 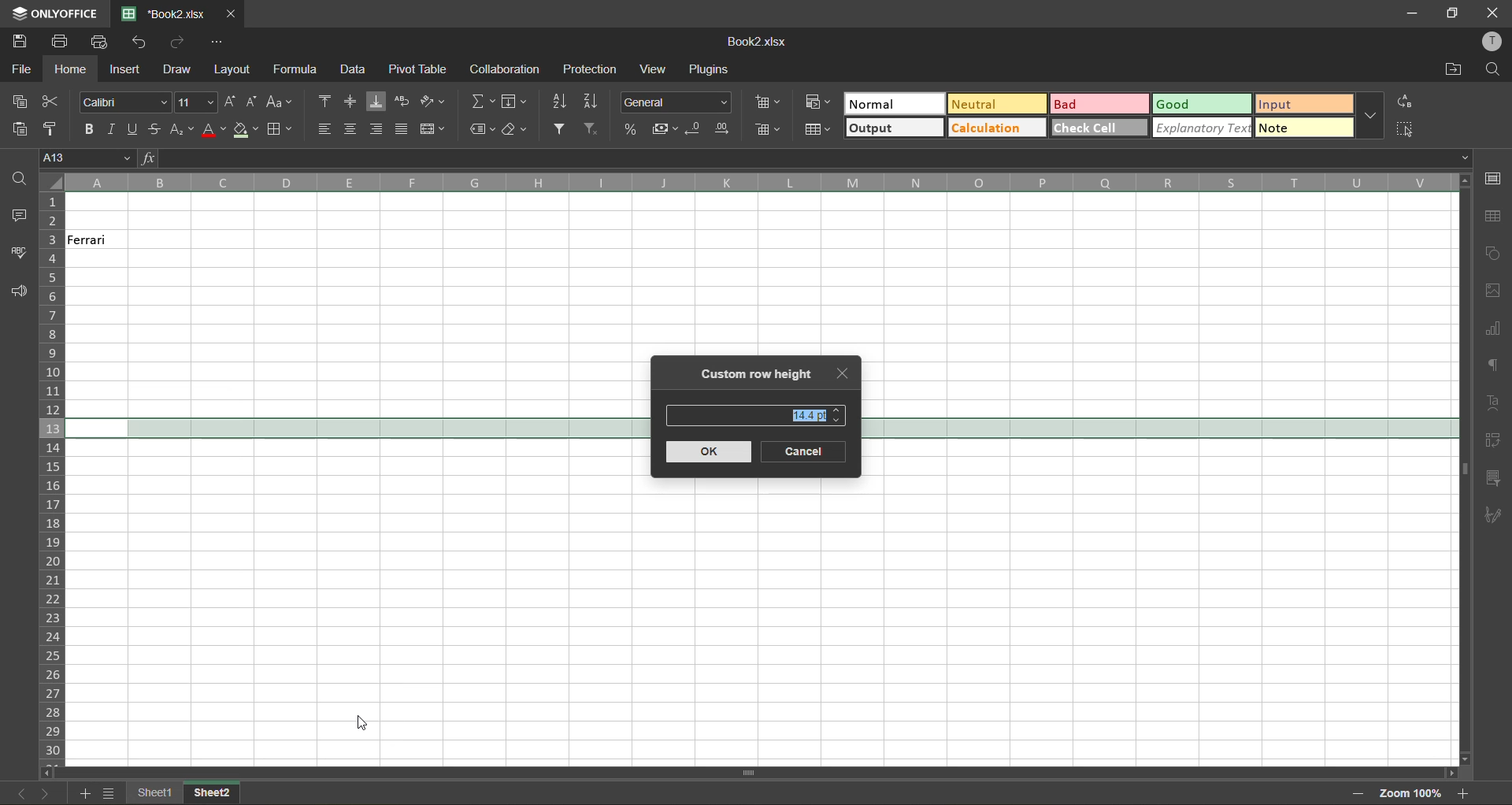 What do you see at coordinates (231, 70) in the screenshot?
I see `layout` at bounding box center [231, 70].